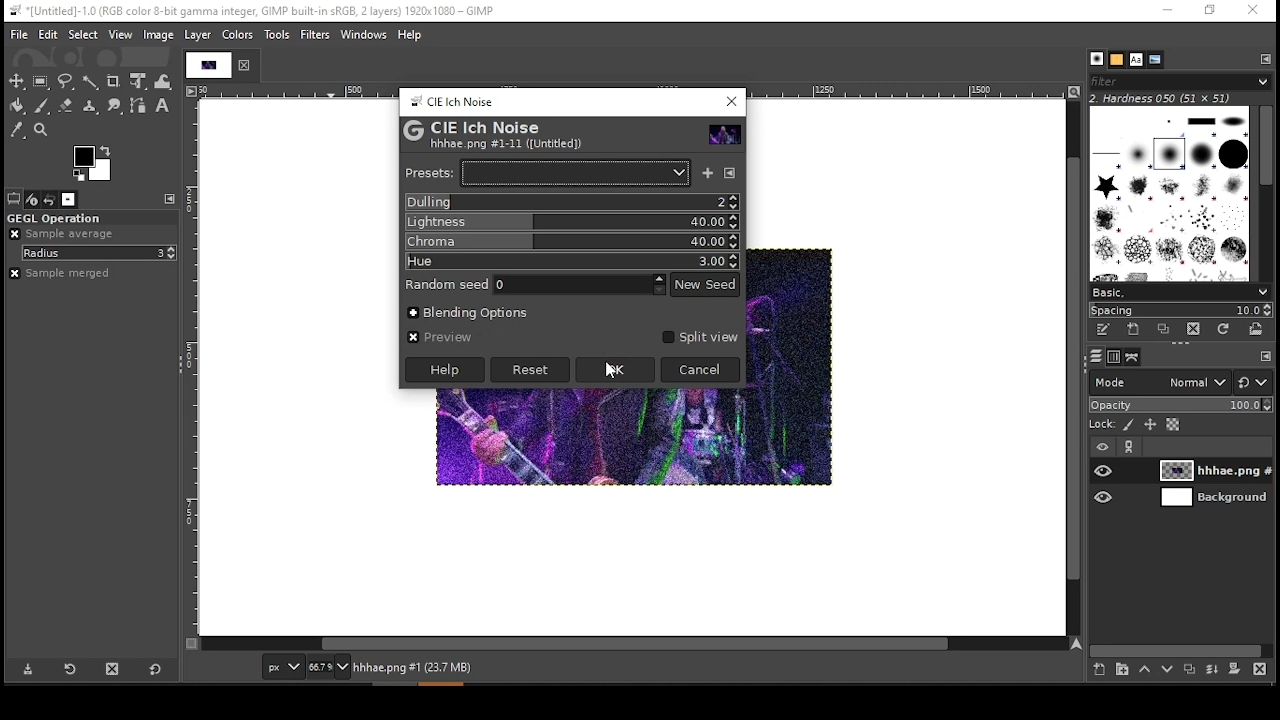  Describe the element at coordinates (25, 670) in the screenshot. I see `save tool preset` at that location.